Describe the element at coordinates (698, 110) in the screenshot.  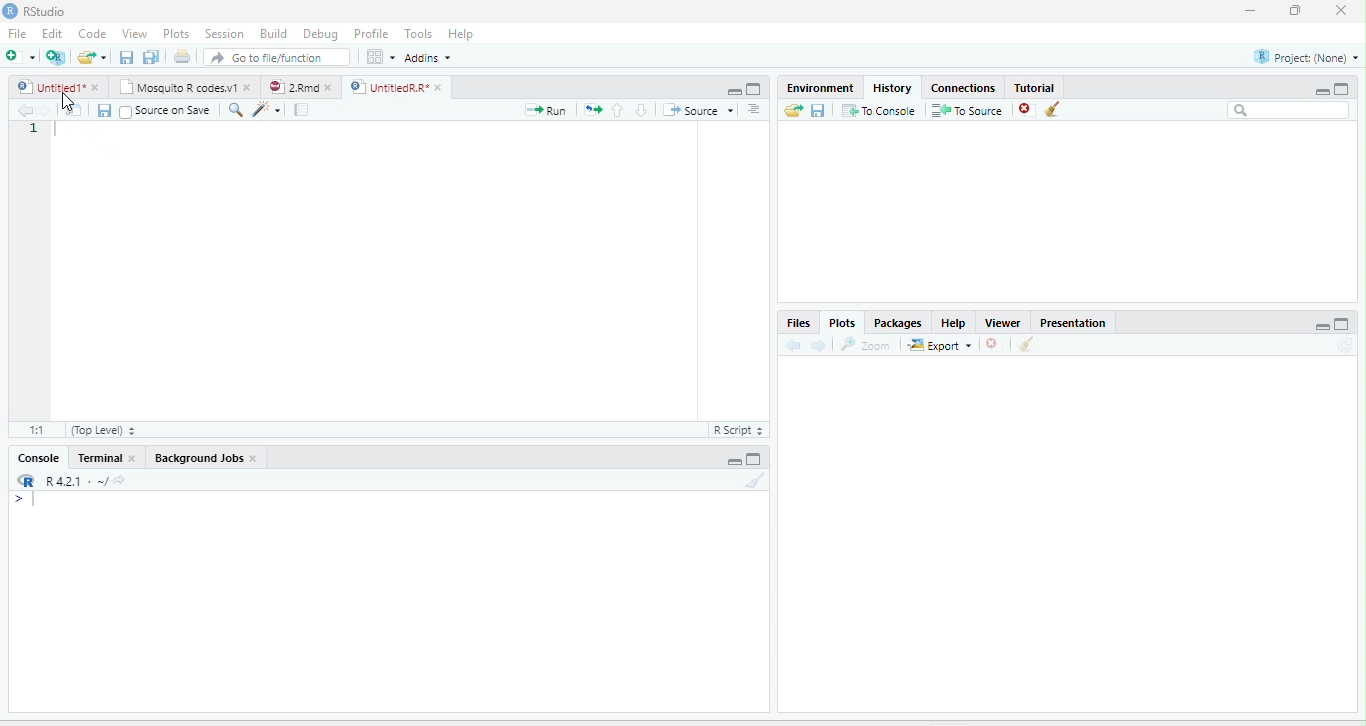
I see `Source` at that location.